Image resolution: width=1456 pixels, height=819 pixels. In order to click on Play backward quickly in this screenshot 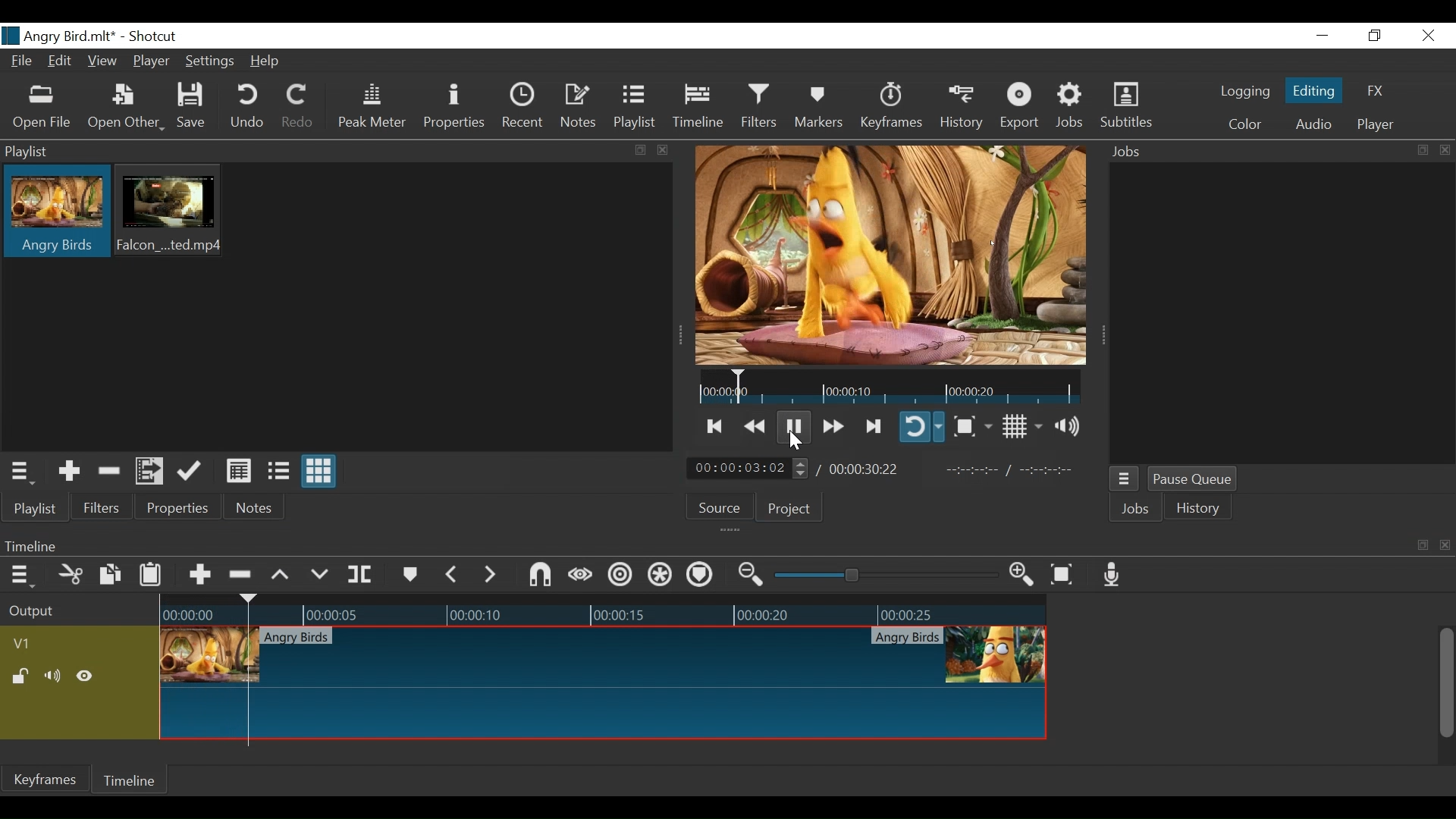, I will do `click(757, 424)`.